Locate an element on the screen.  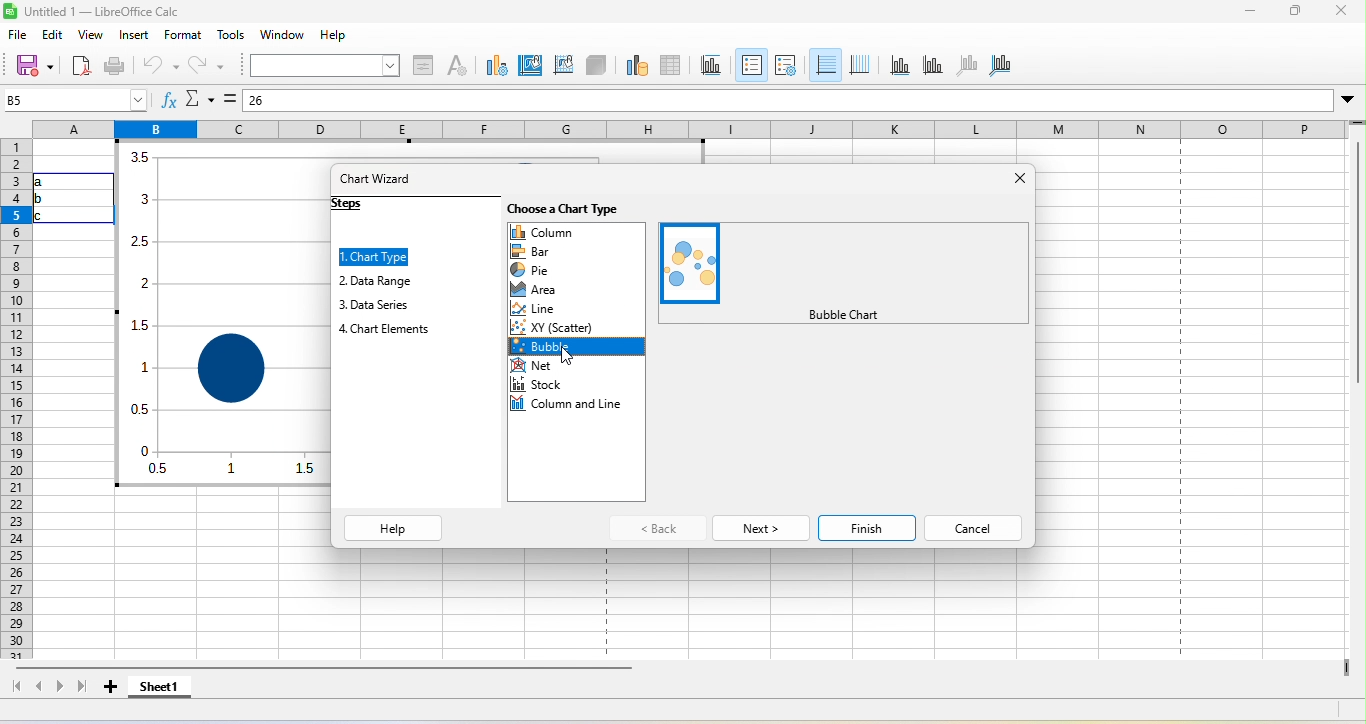
next is located at coordinates (758, 526).